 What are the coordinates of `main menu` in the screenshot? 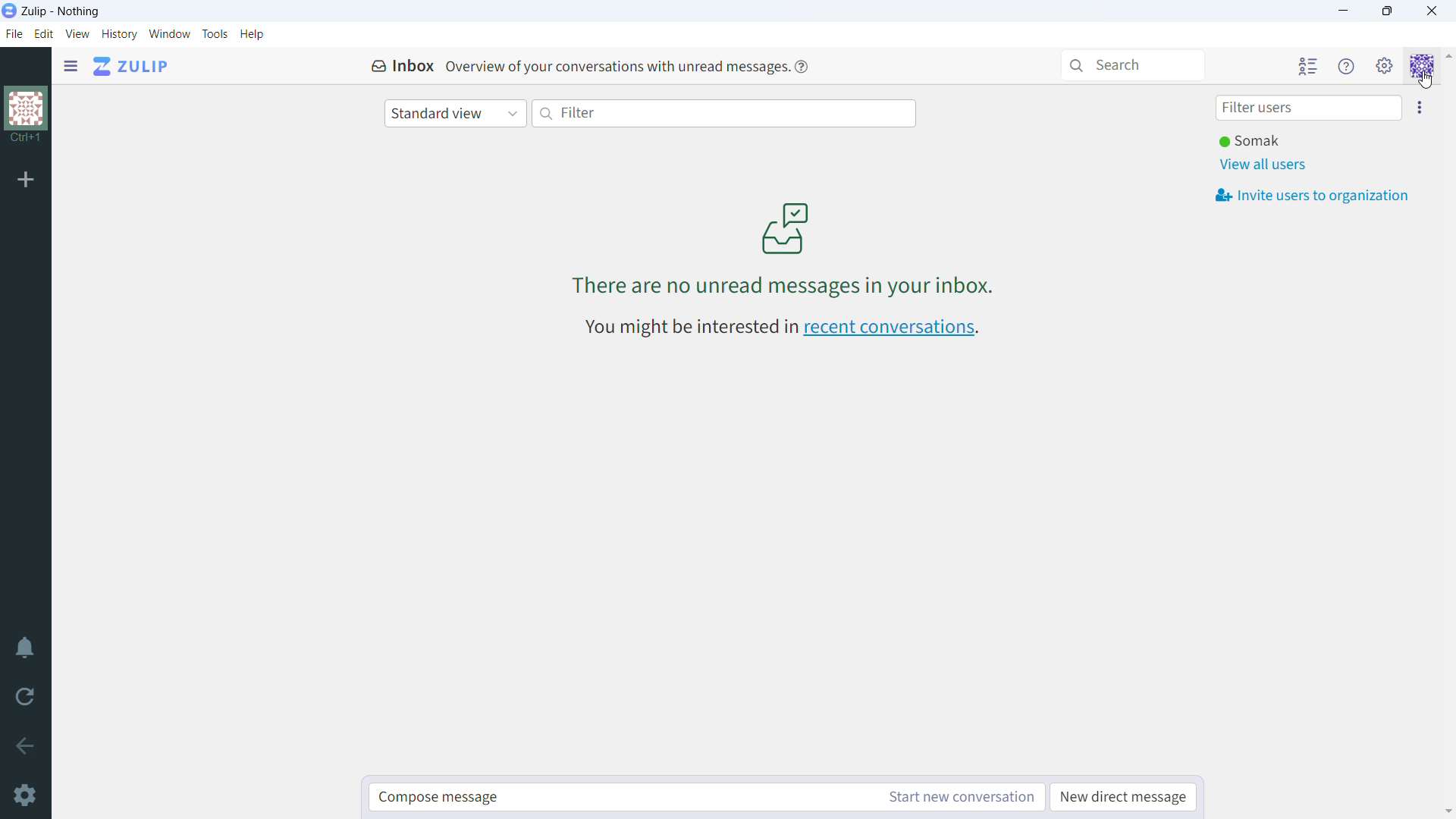 It's located at (1385, 64).